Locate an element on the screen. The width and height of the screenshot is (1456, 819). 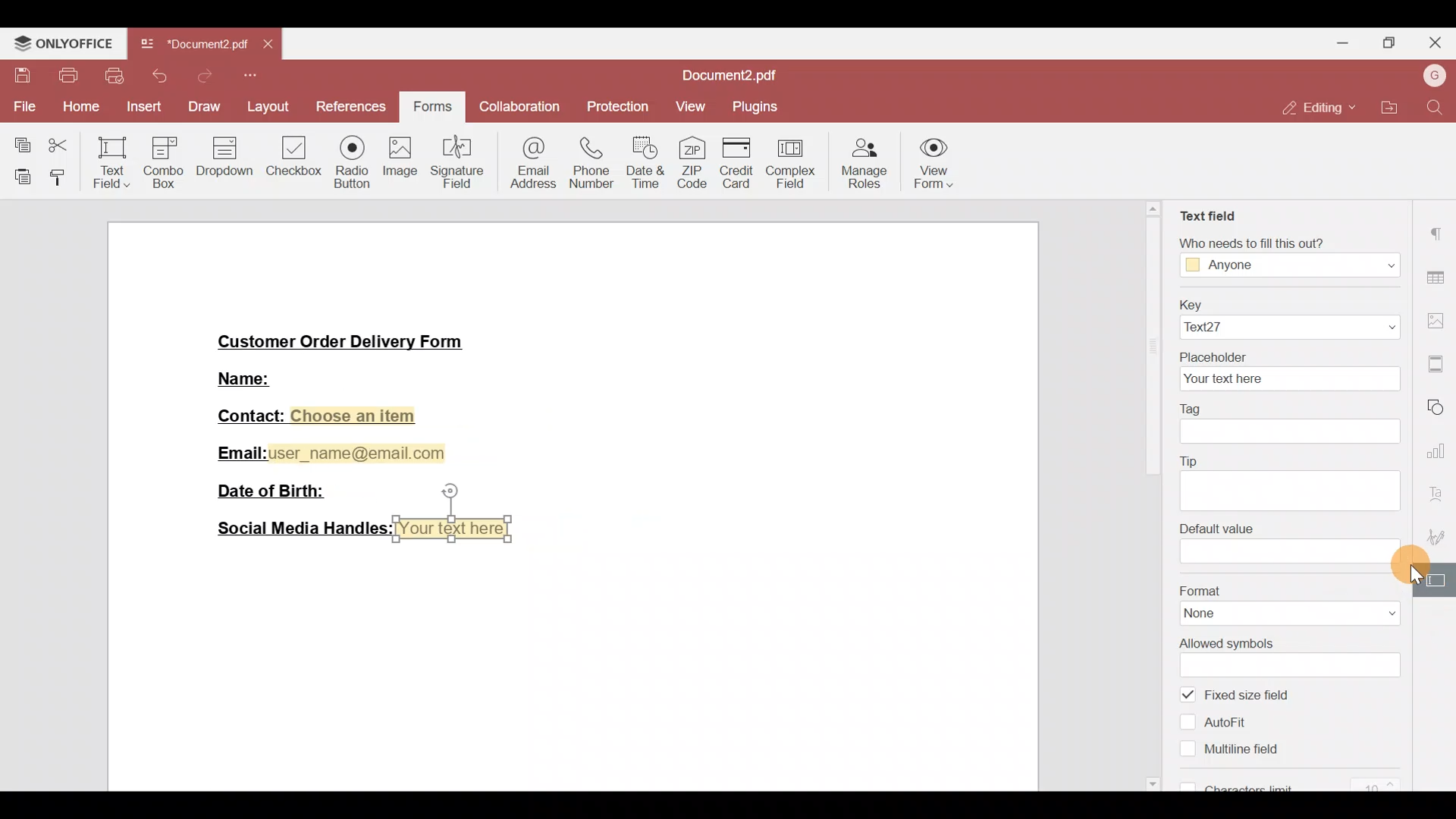
Allowed symbols is located at coordinates (1291, 657).